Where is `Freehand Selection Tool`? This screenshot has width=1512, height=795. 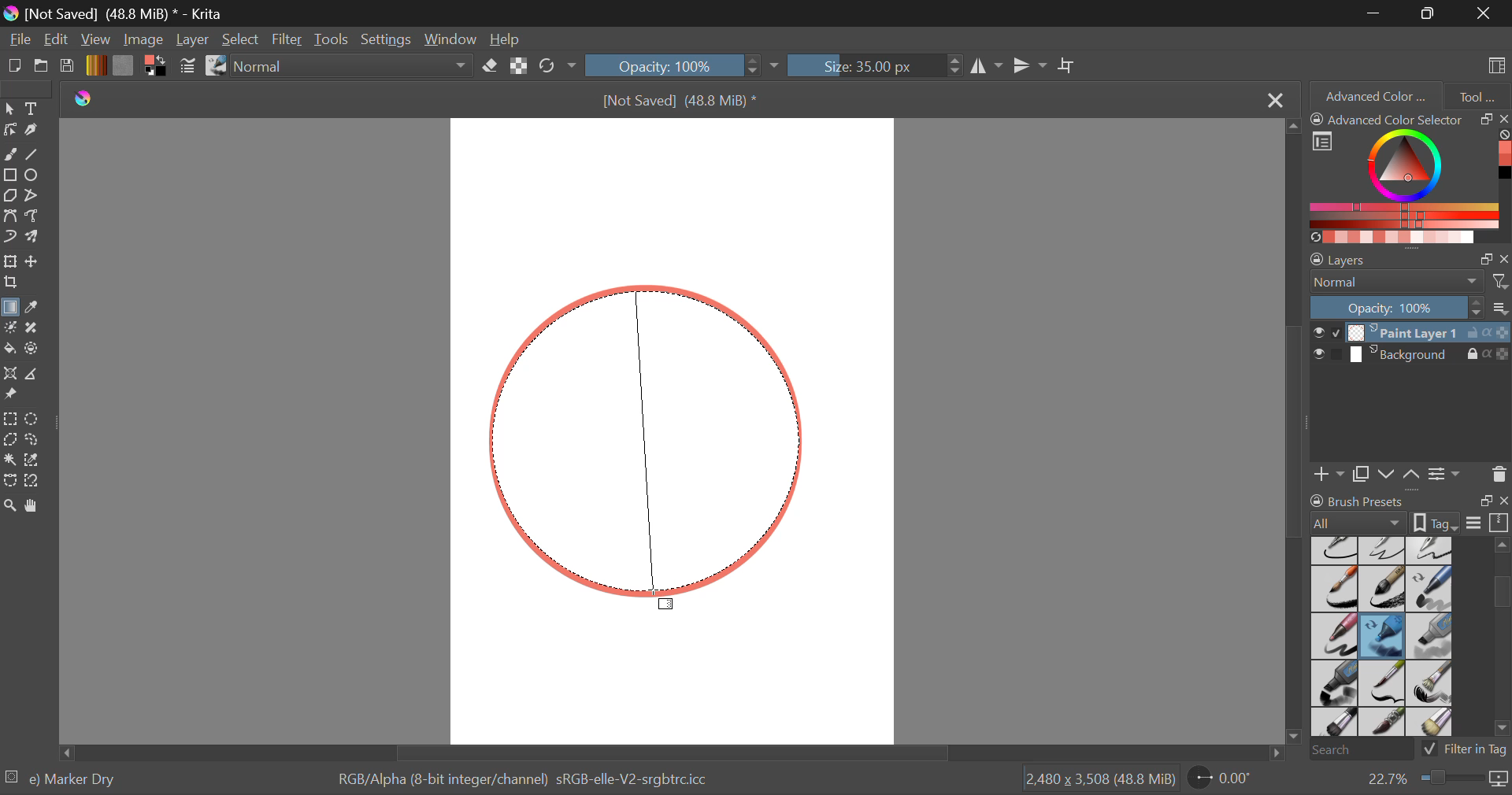 Freehand Selection Tool is located at coordinates (34, 439).